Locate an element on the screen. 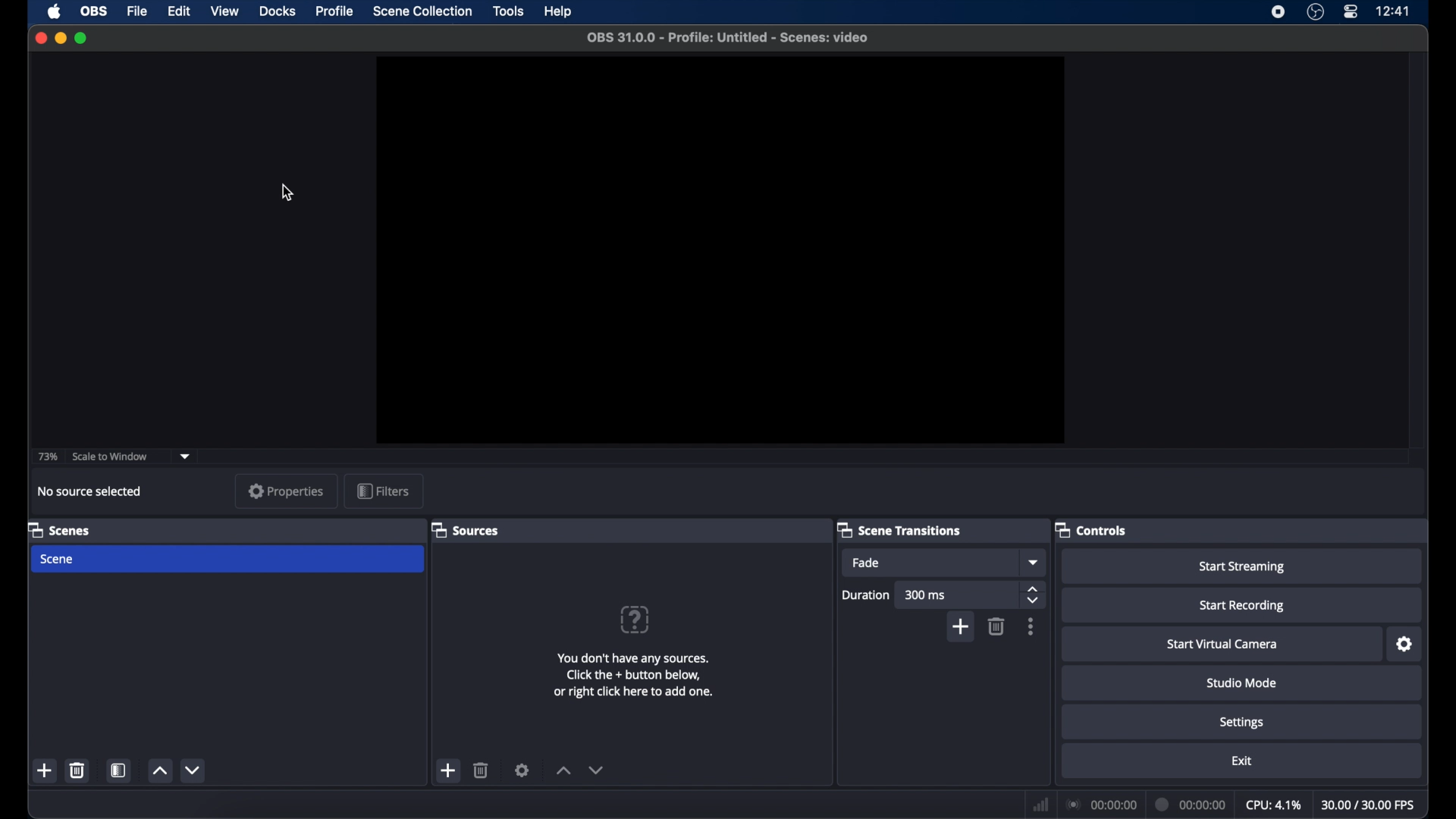 Image resolution: width=1456 pixels, height=819 pixels. start recording is located at coordinates (1242, 604).